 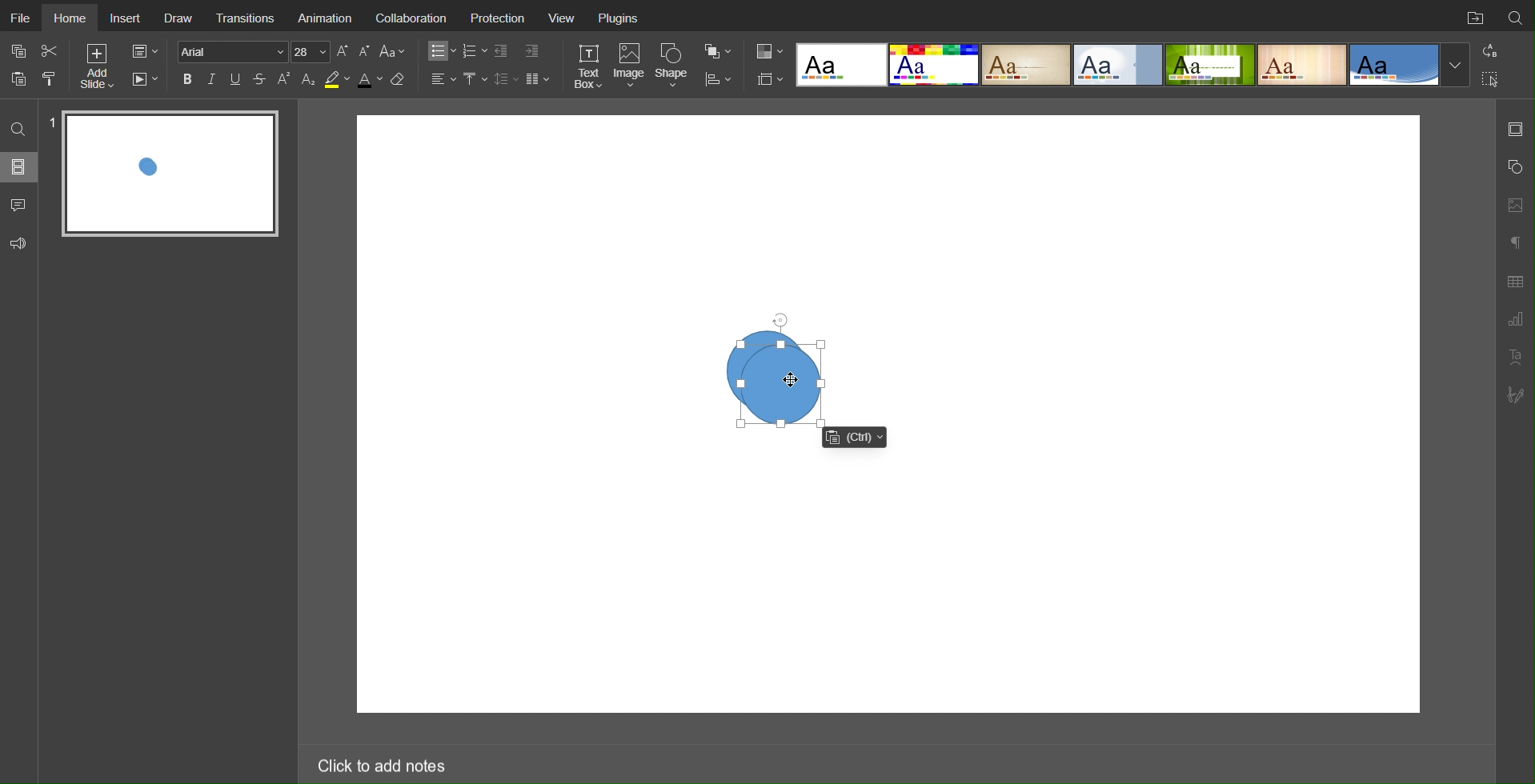 What do you see at coordinates (71, 18) in the screenshot?
I see `Home` at bounding box center [71, 18].